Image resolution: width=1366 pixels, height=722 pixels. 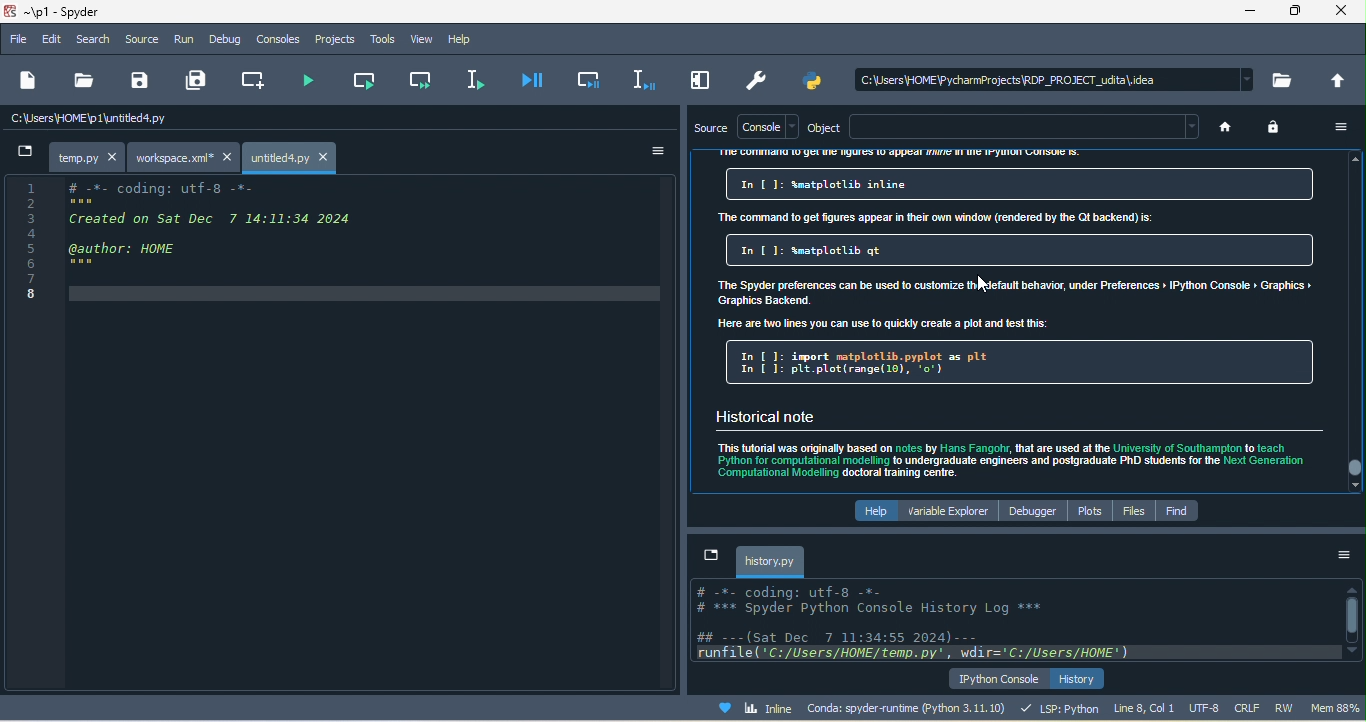 What do you see at coordinates (184, 41) in the screenshot?
I see `run` at bounding box center [184, 41].